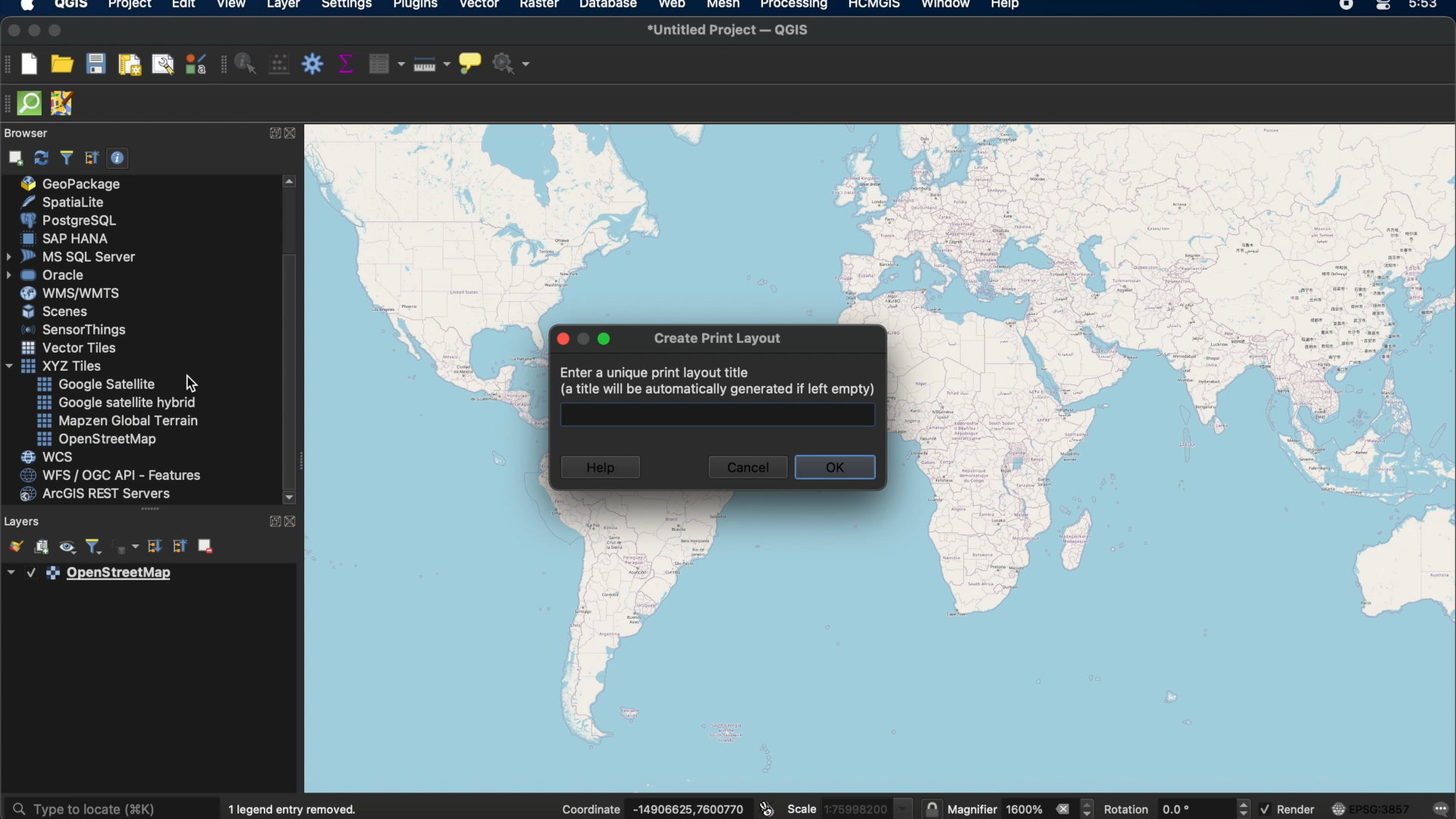  Describe the element at coordinates (44, 545) in the screenshot. I see `add group` at that location.